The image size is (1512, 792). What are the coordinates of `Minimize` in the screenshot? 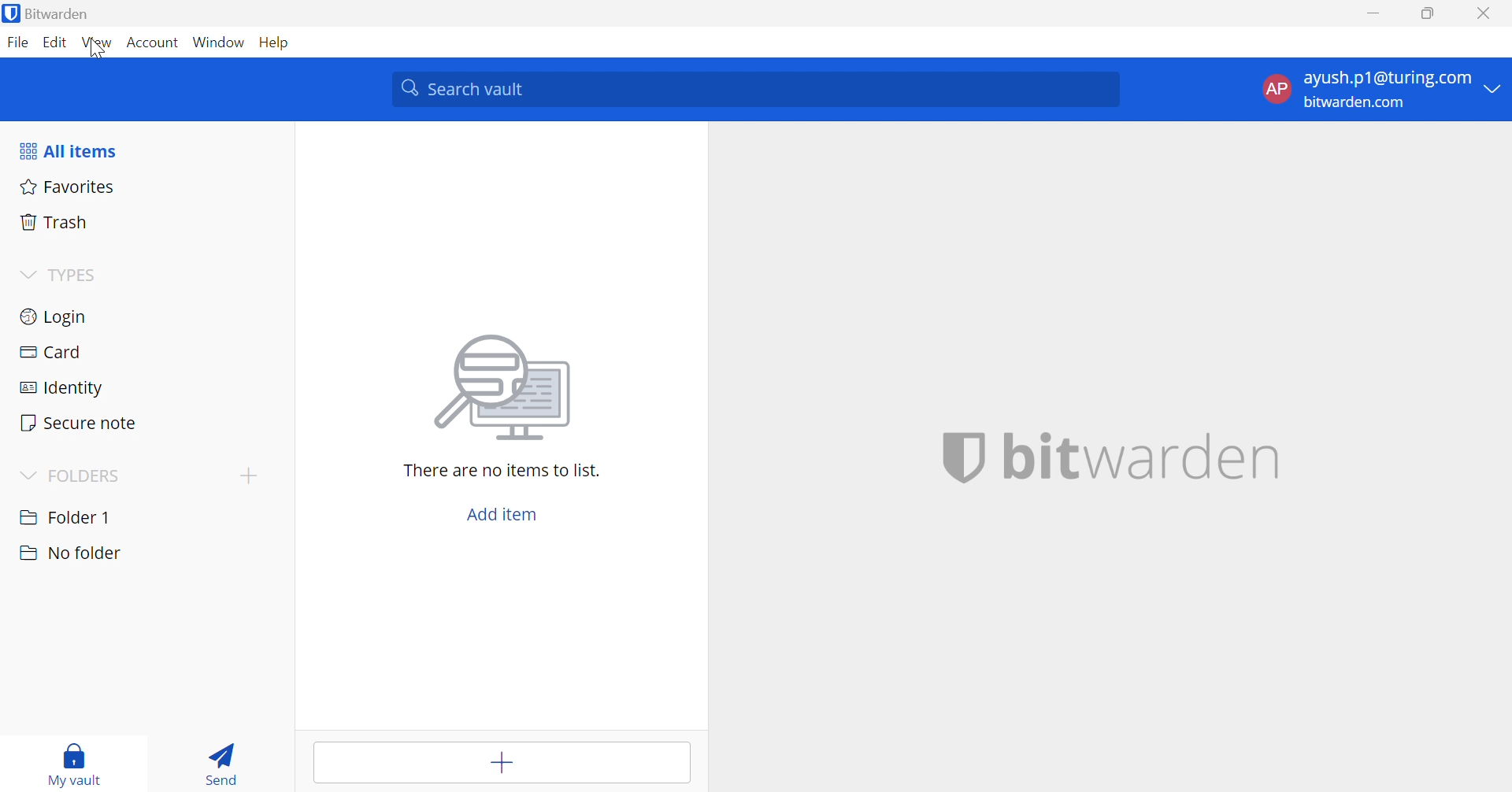 It's located at (1374, 11).